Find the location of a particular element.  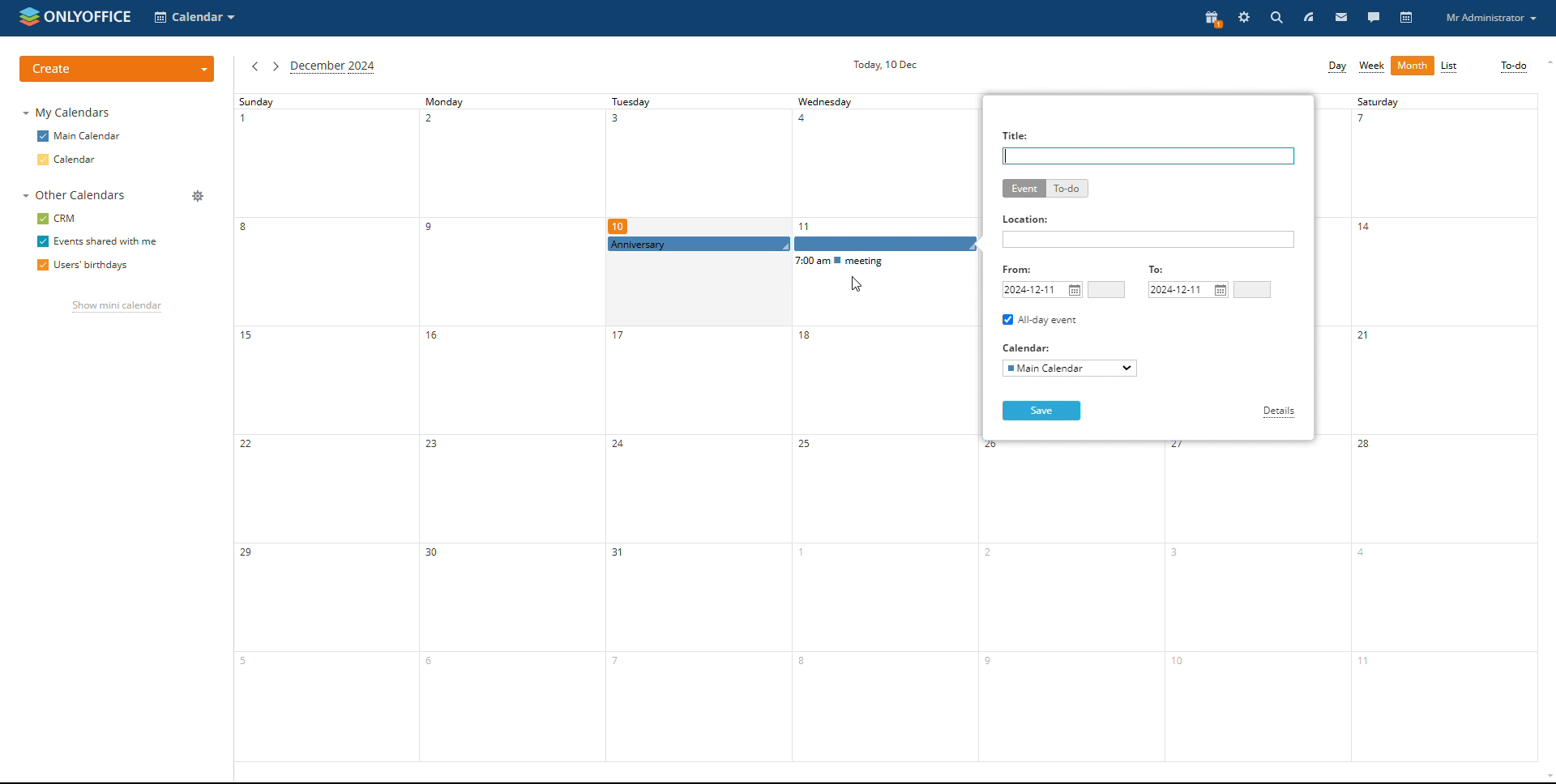

feed is located at coordinates (1307, 19).